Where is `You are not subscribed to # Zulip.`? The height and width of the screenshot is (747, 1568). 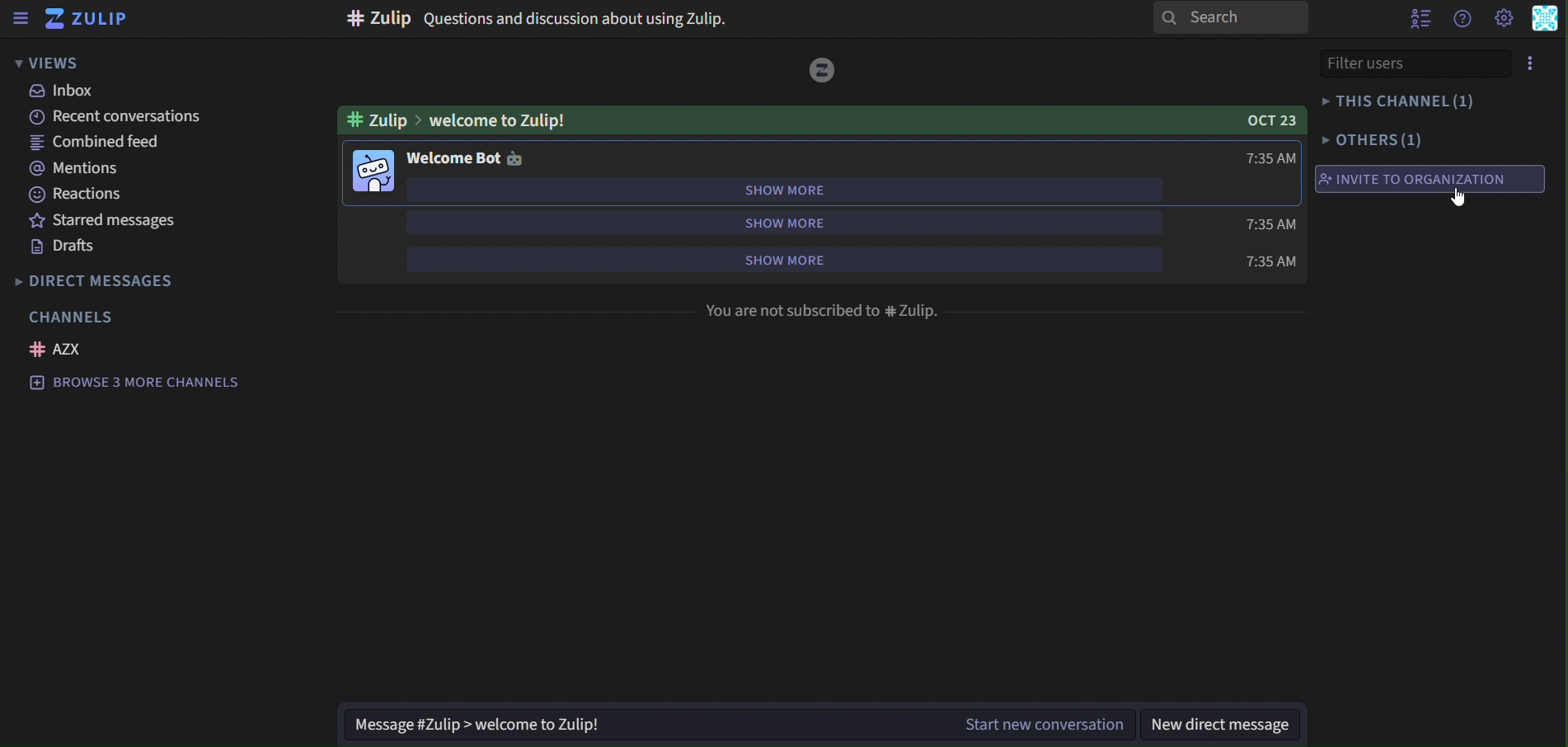
You are not subscribed to # Zulip. is located at coordinates (821, 311).